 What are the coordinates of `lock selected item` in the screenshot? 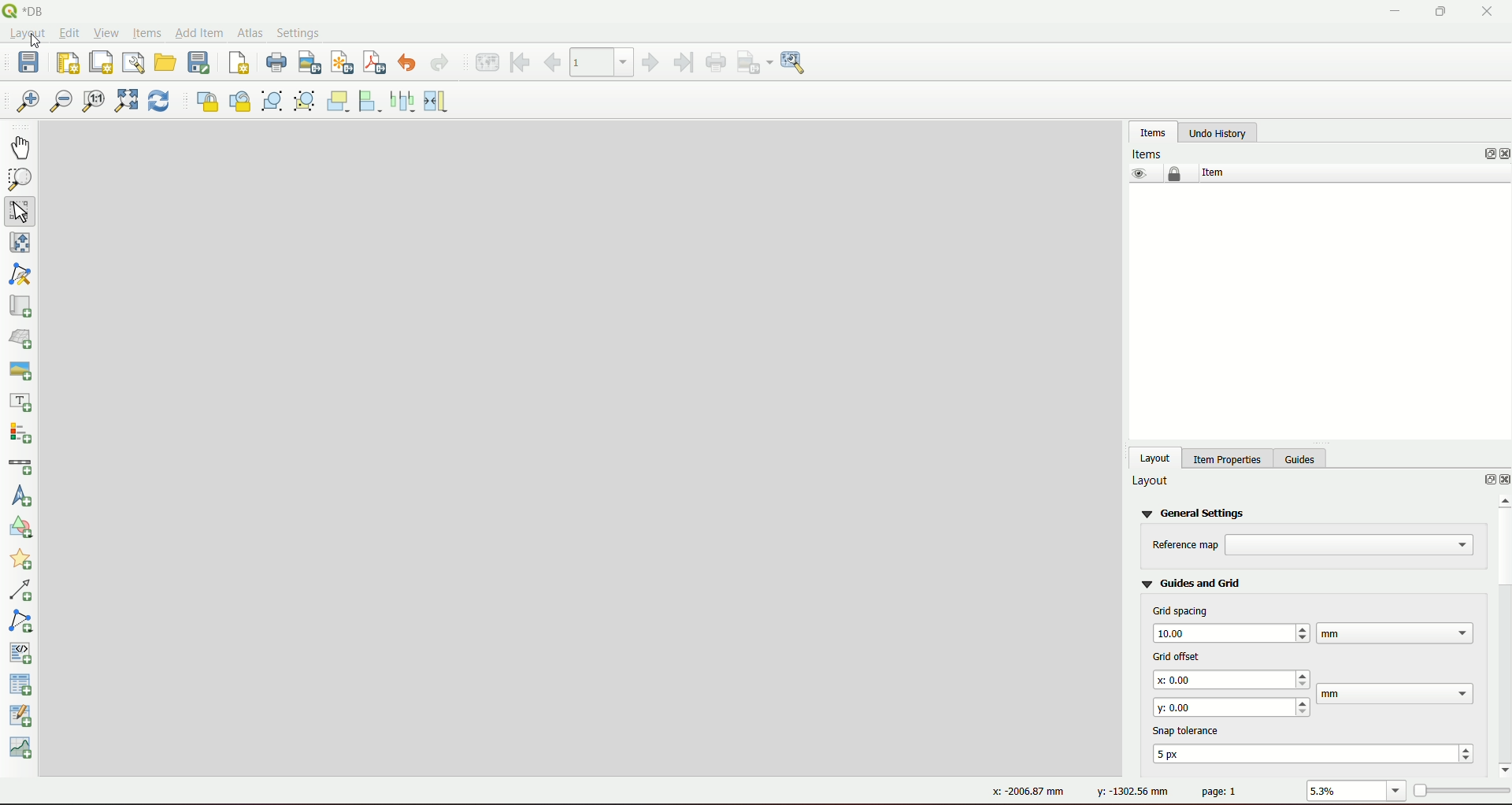 It's located at (205, 100).